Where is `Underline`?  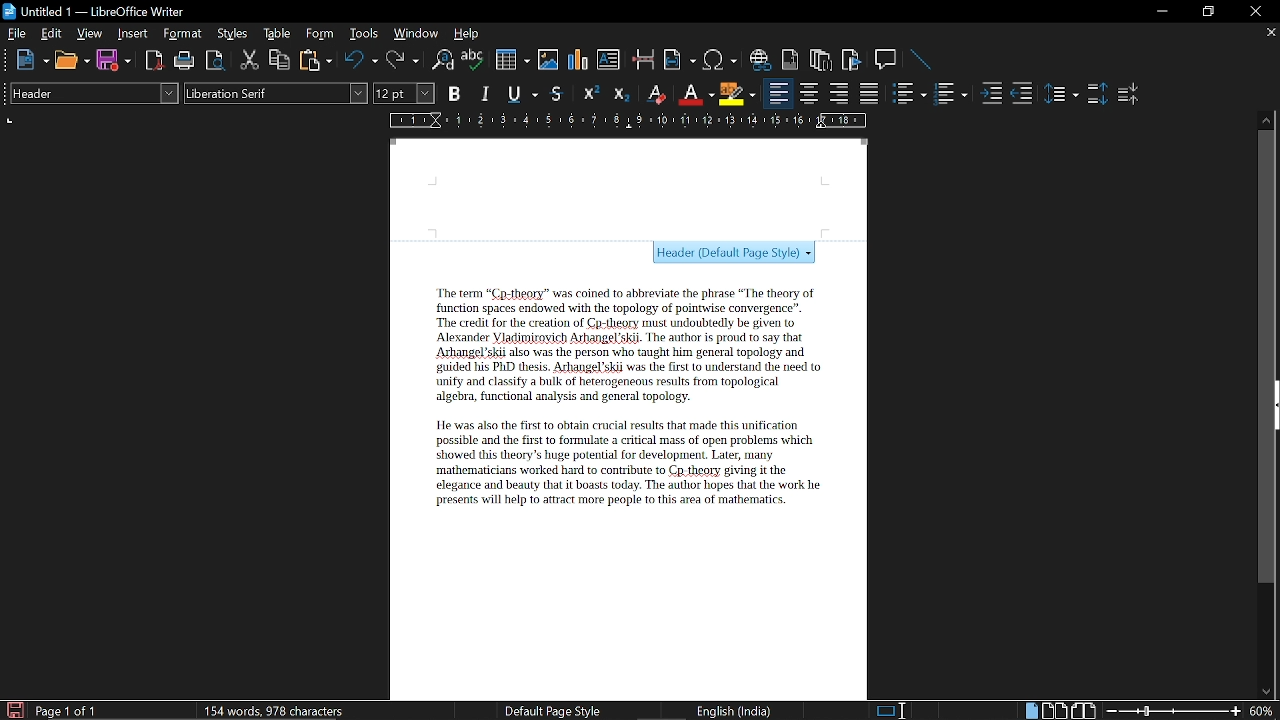 Underline is located at coordinates (695, 94).